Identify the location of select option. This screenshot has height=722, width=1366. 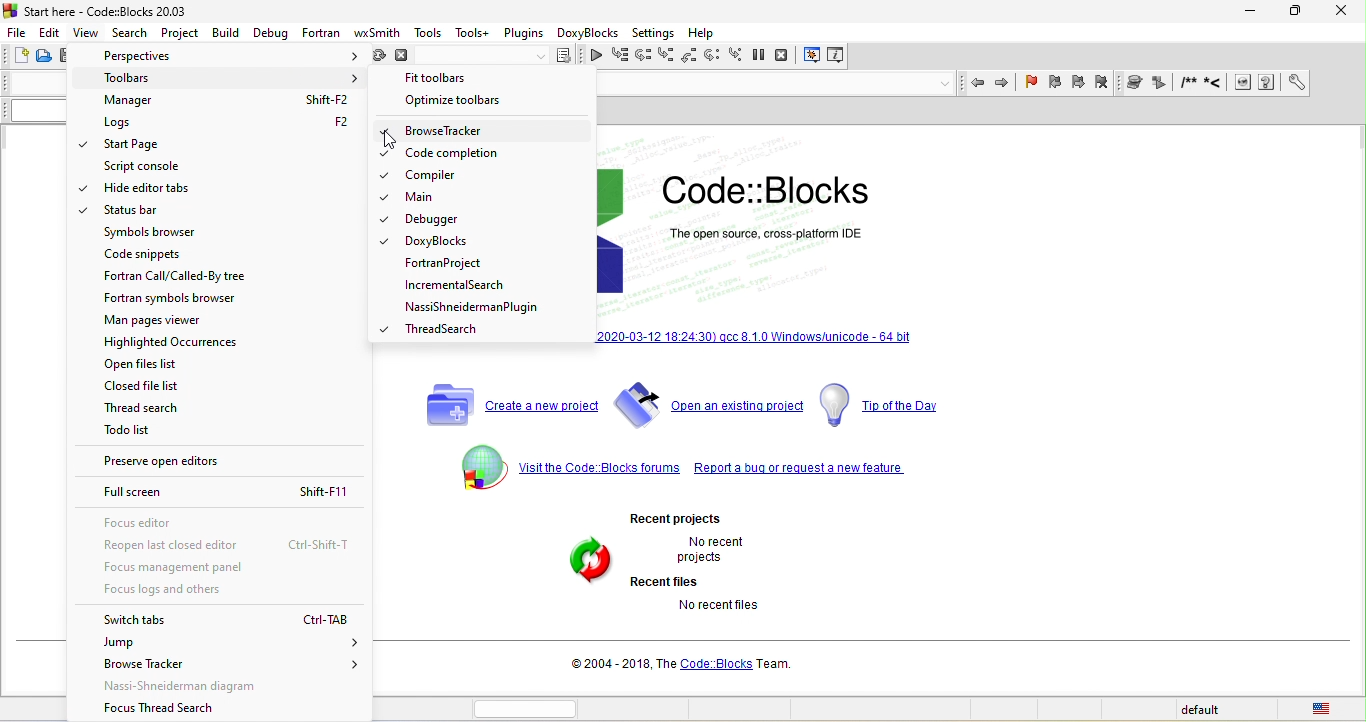
(481, 129).